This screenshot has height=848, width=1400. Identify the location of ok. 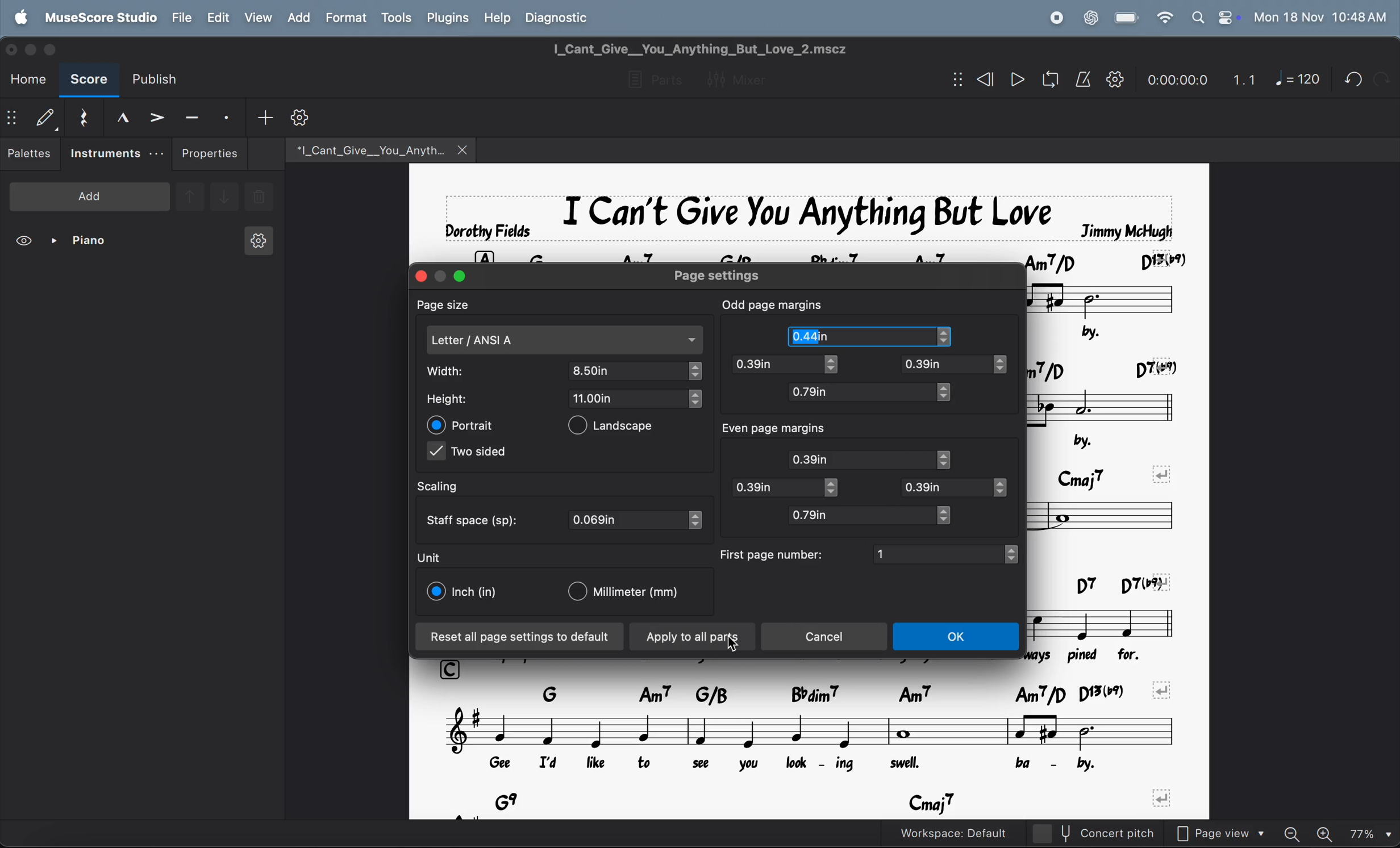
(959, 638).